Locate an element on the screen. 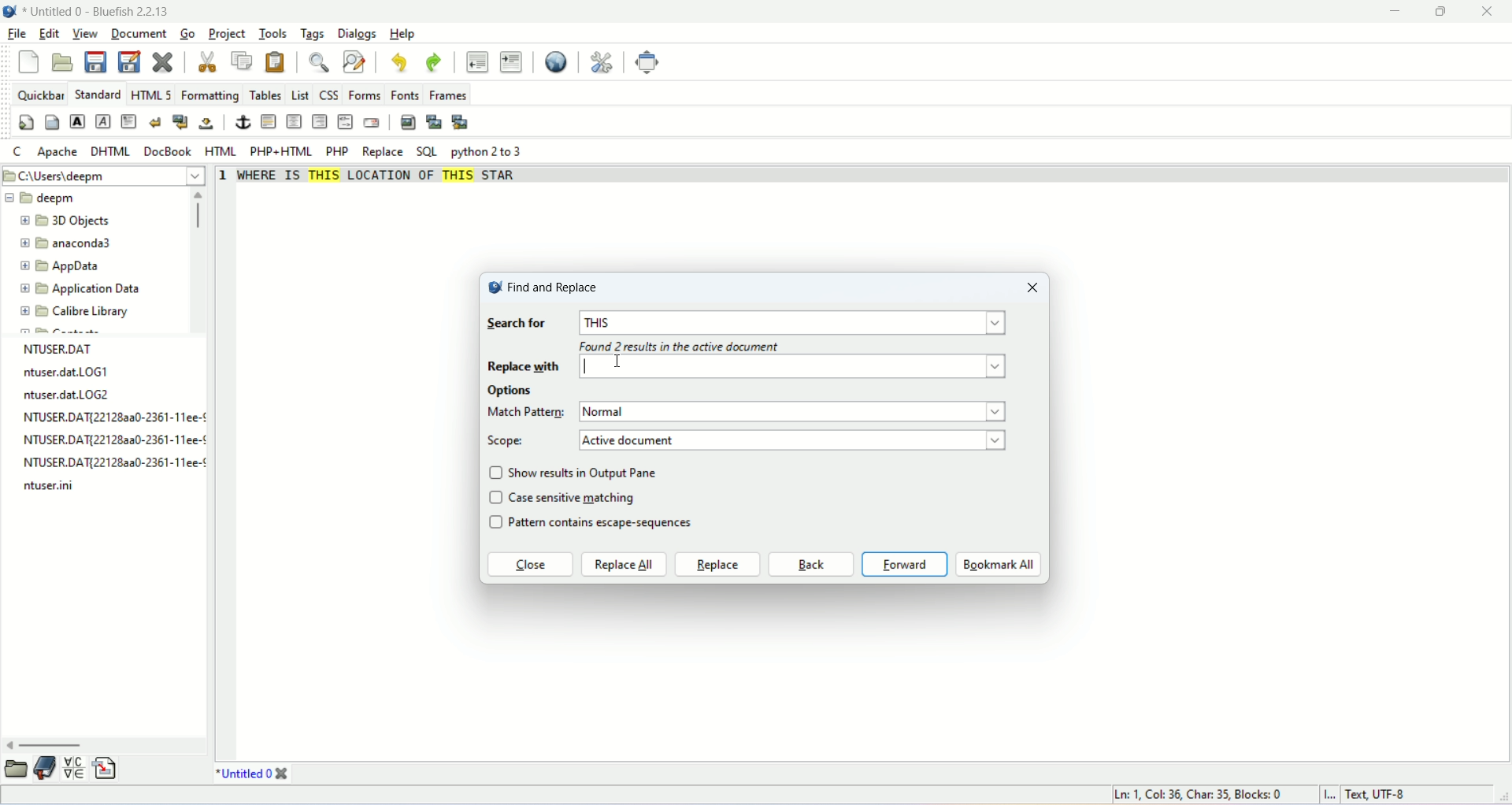 Image resolution: width=1512 pixels, height=805 pixels. Options is located at coordinates (513, 391).